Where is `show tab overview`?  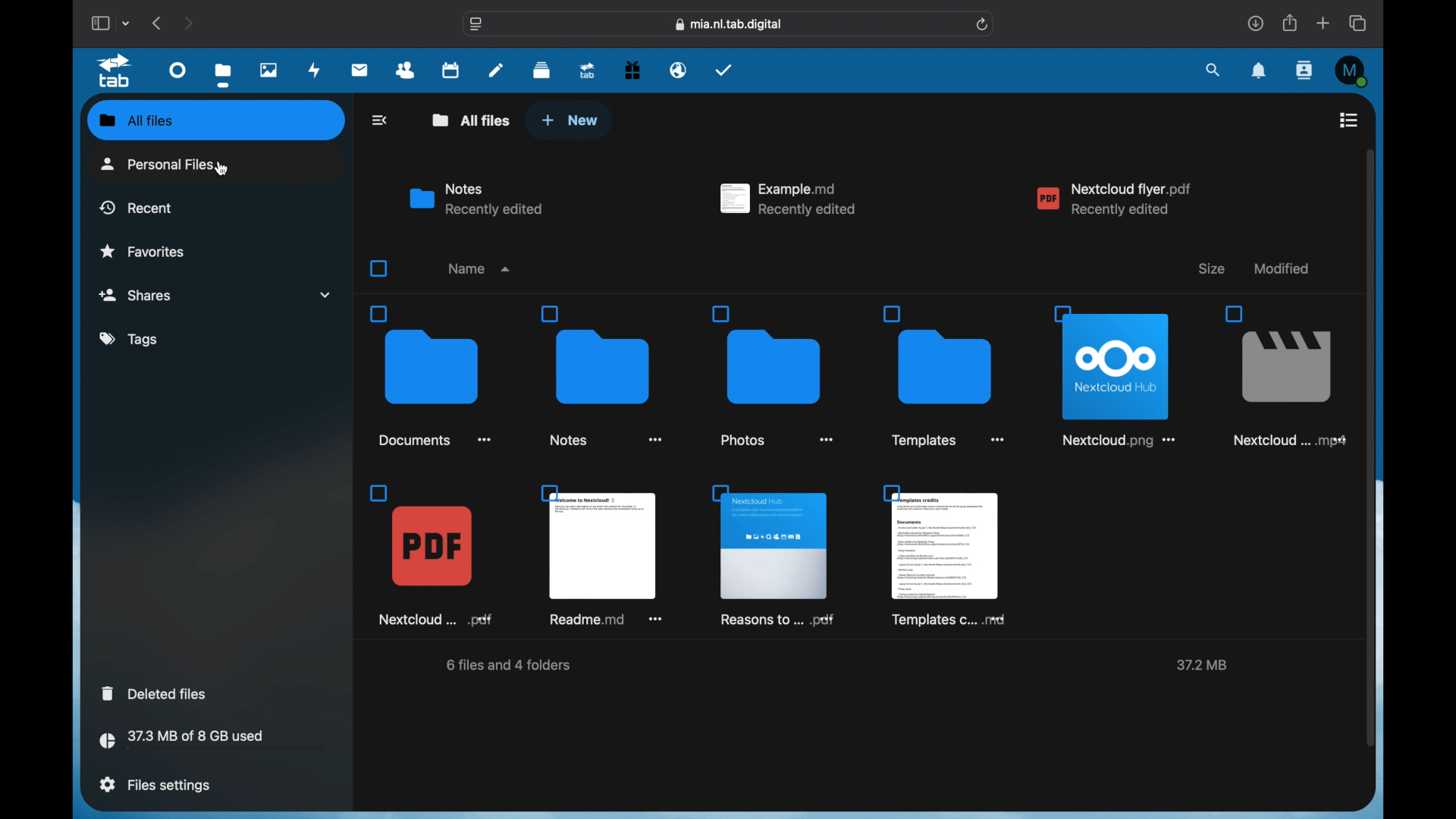
show tab overview is located at coordinates (1359, 23).